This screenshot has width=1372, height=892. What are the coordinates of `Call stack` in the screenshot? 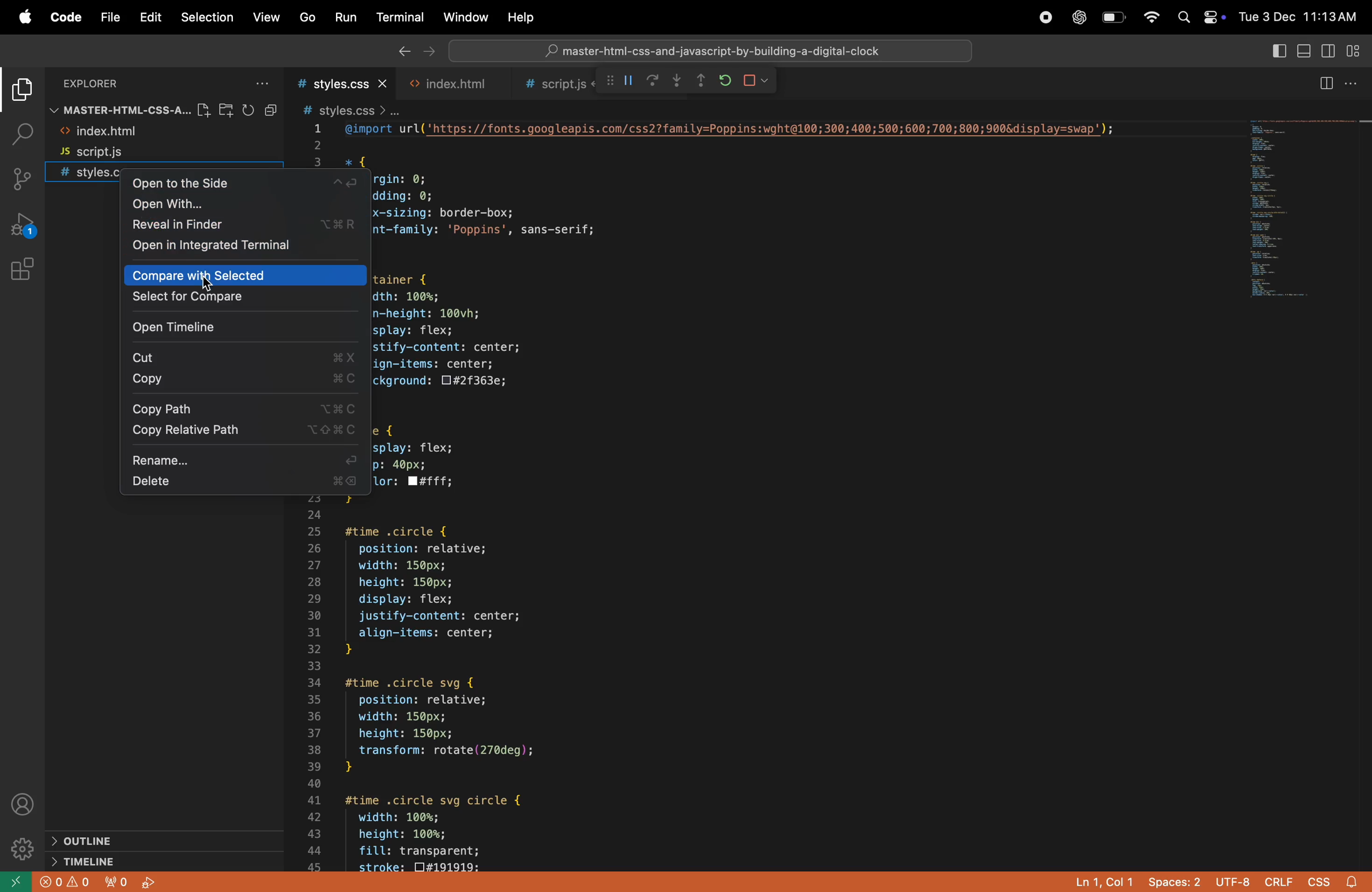 It's located at (606, 81).